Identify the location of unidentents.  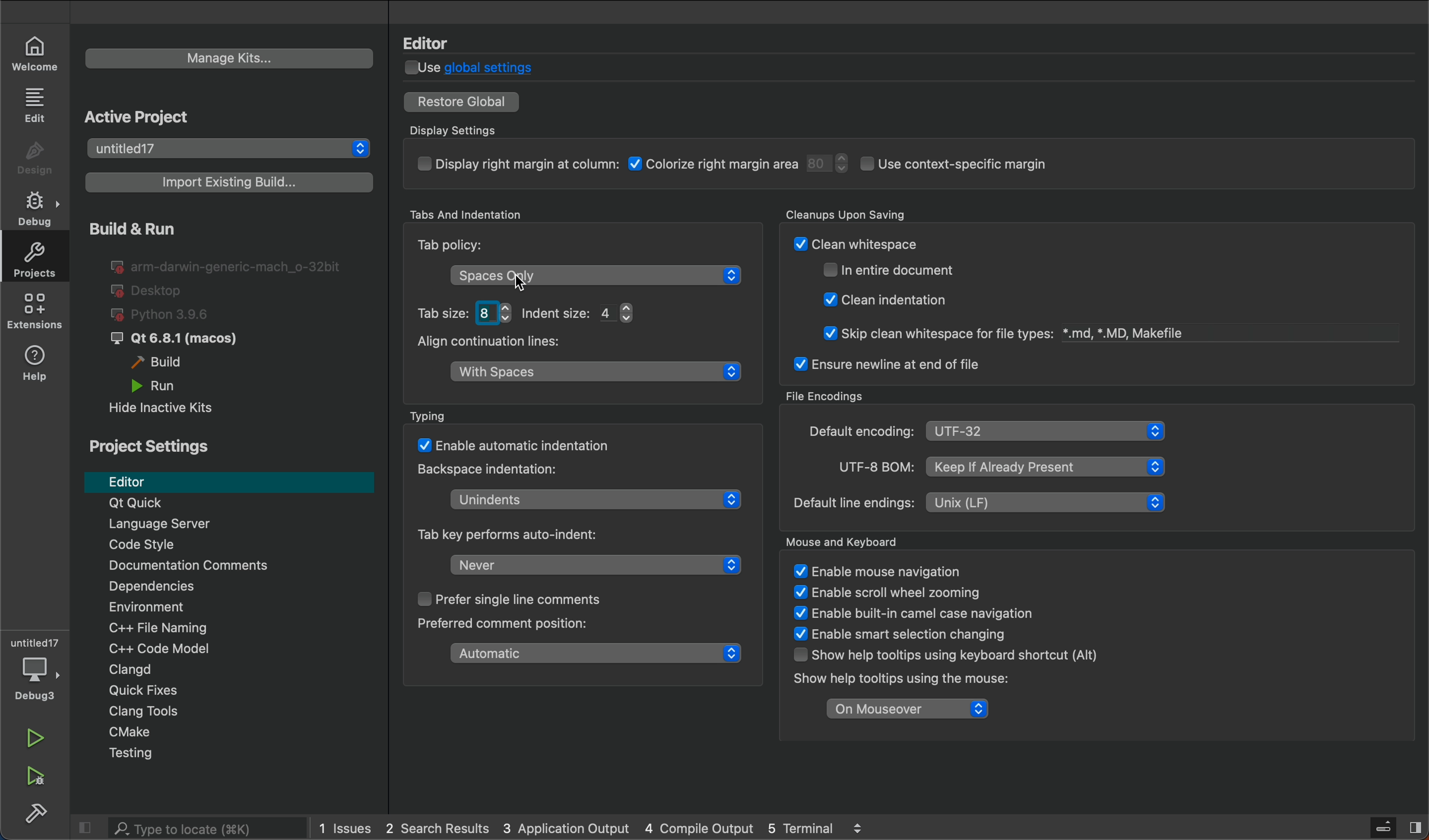
(596, 499).